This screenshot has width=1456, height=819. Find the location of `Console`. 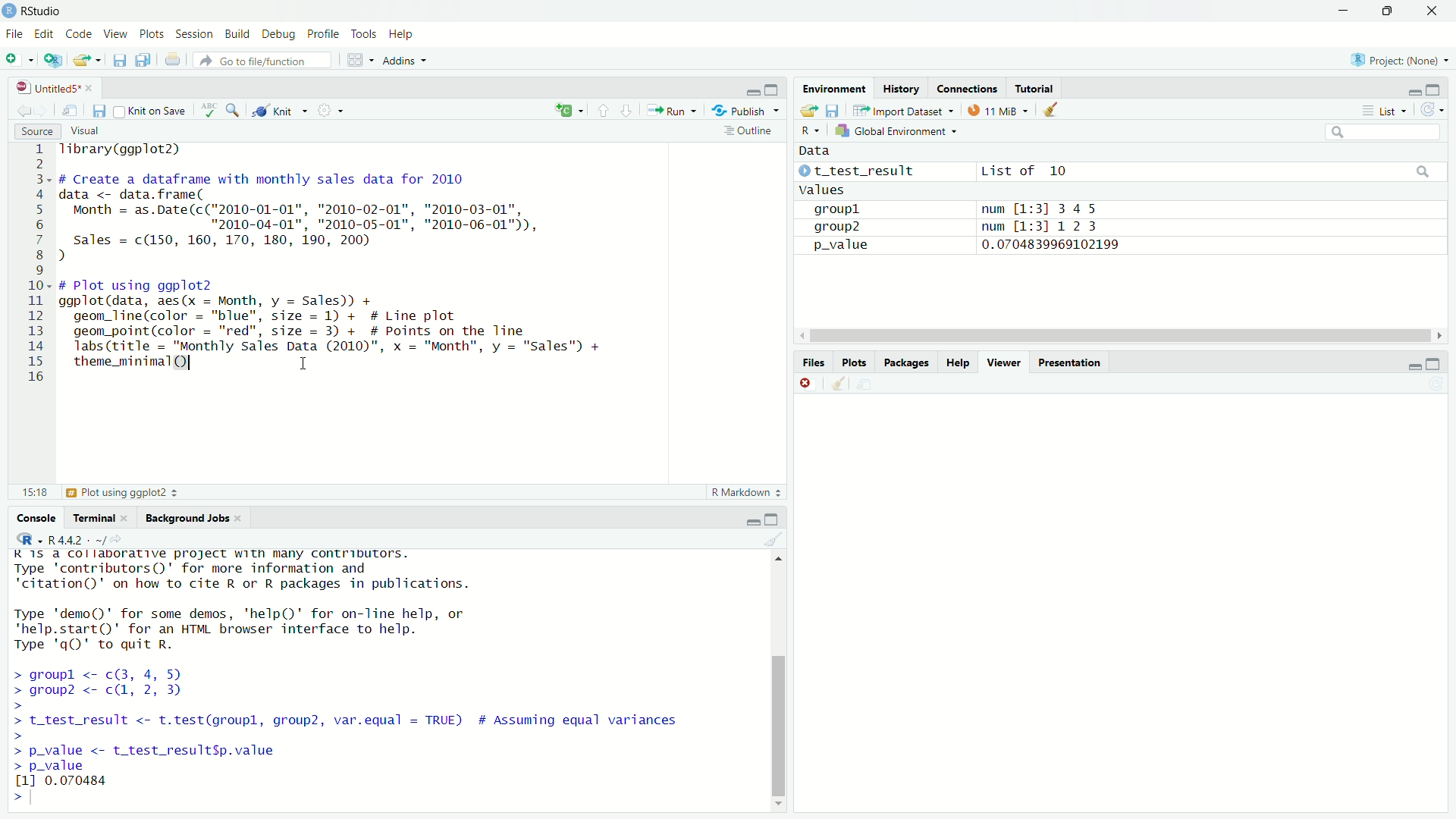

Console is located at coordinates (35, 516).